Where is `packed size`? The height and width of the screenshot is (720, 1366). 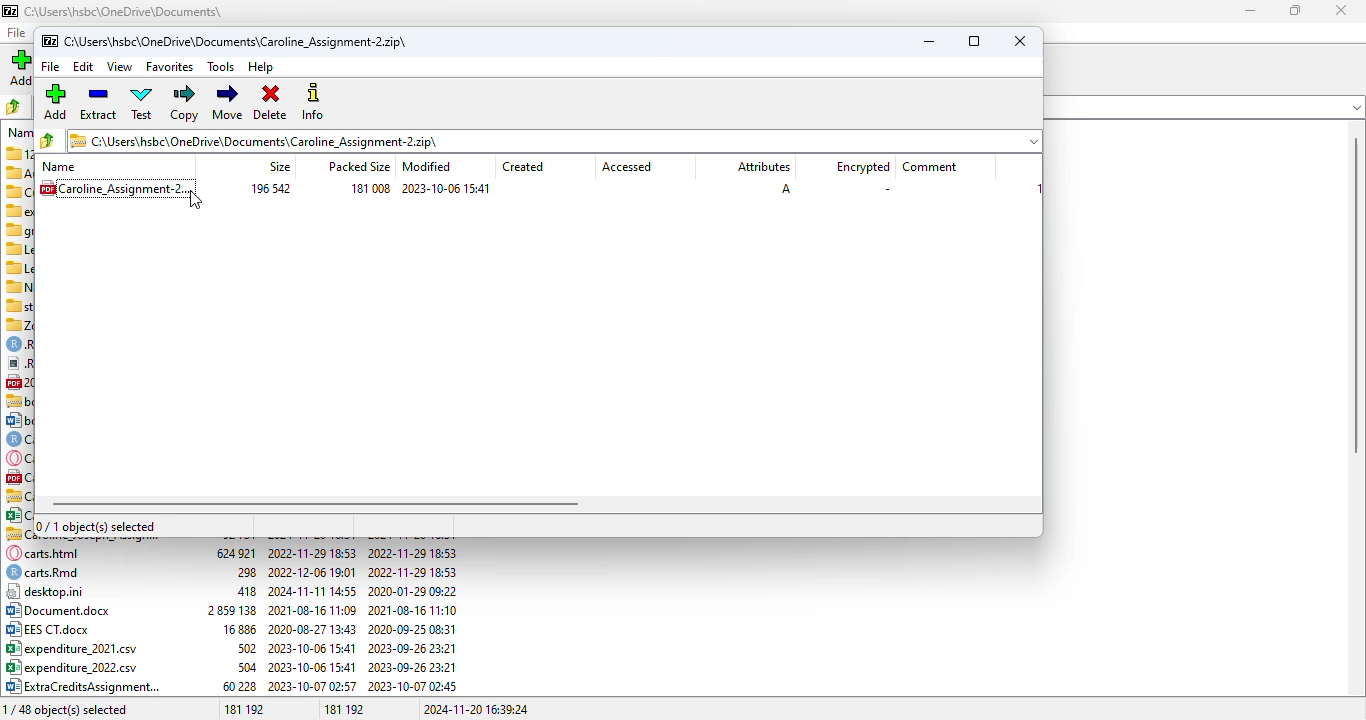 packed size is located at coordinates (358, 166).